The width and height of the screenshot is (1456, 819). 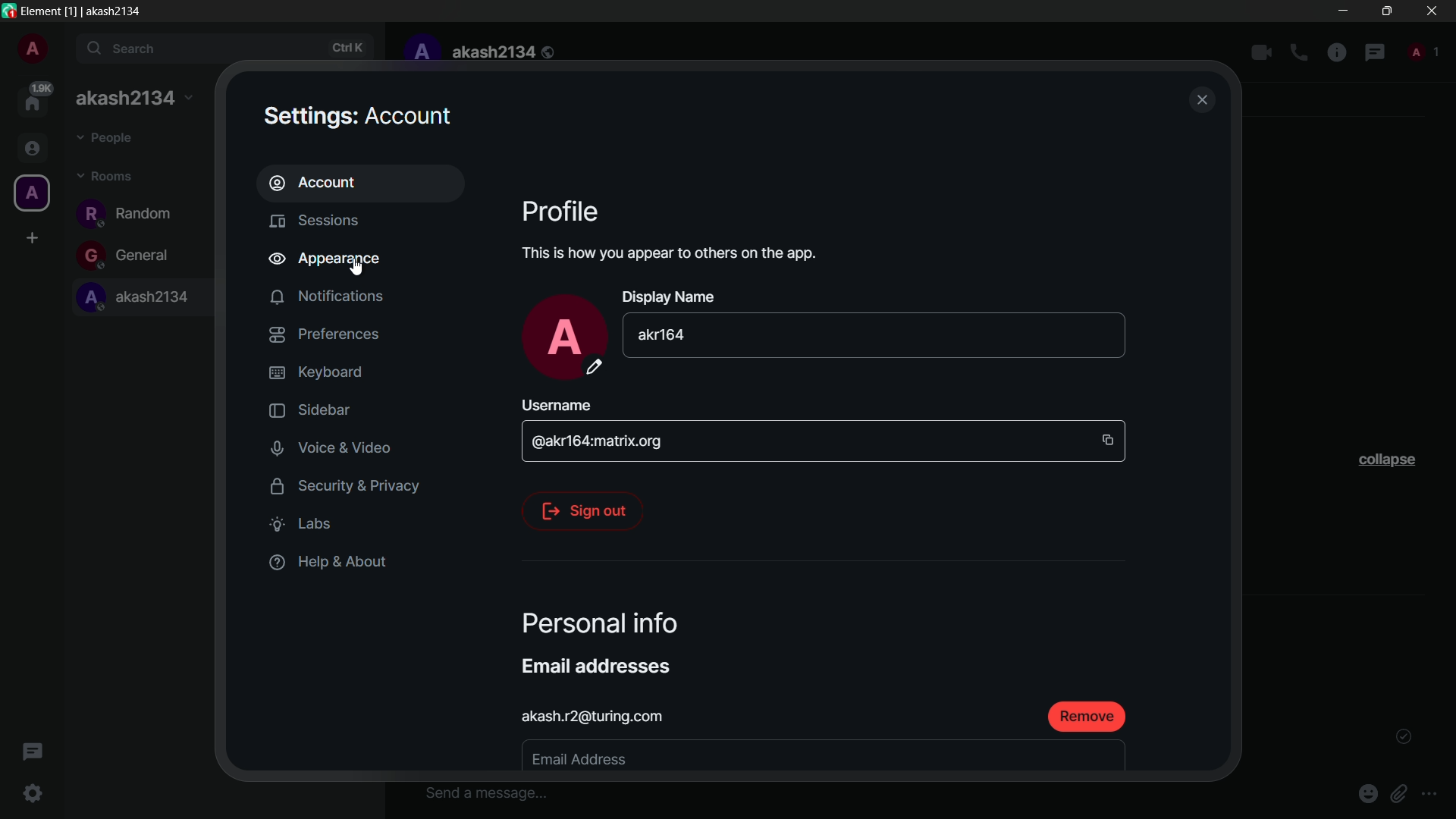 What do you see at coordinates (1430, 795) in the screenshot?
I see `more options` at bounding box center [1430, 795].